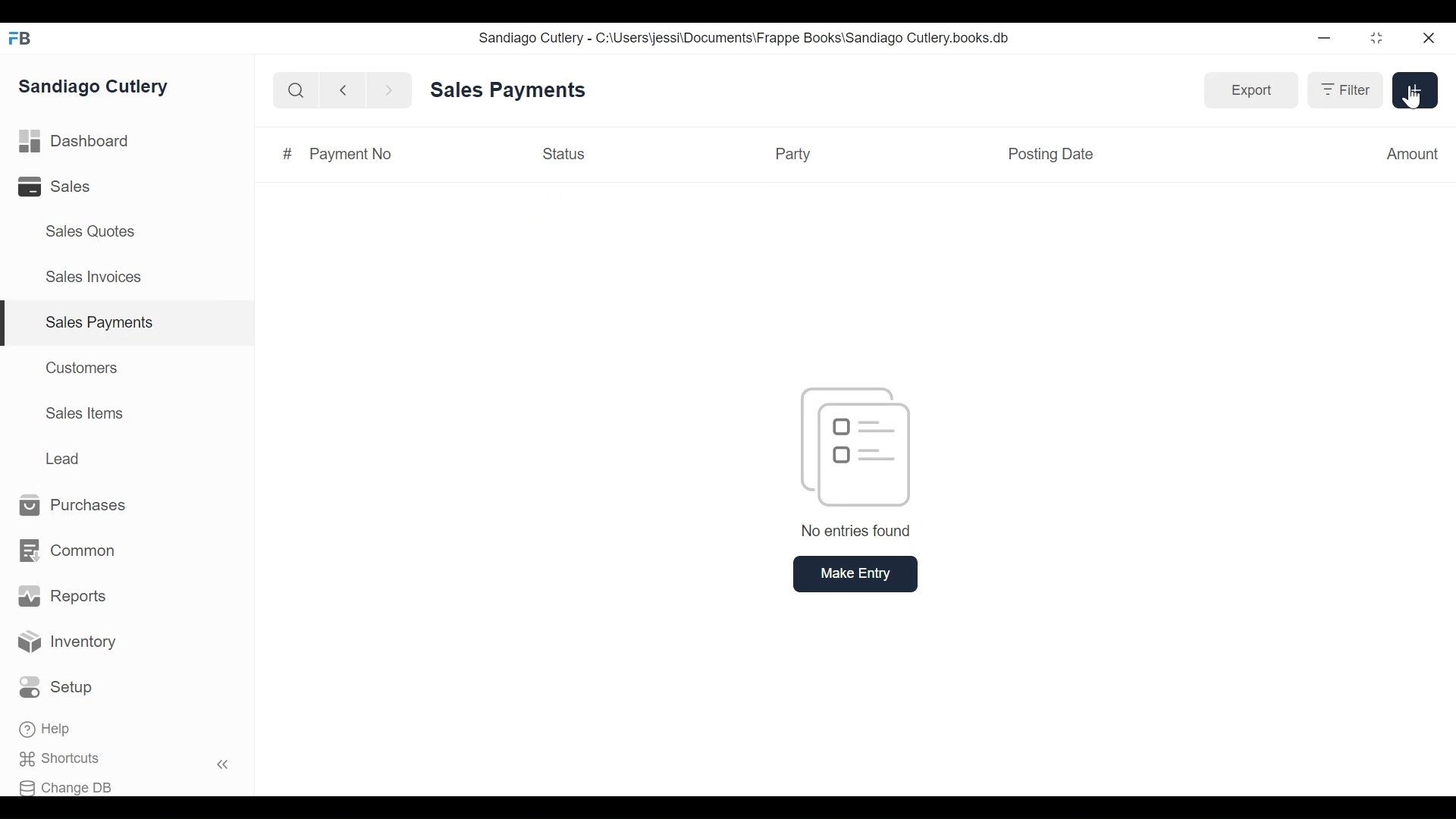  I want to click on Cursor, so click(1413, 98).